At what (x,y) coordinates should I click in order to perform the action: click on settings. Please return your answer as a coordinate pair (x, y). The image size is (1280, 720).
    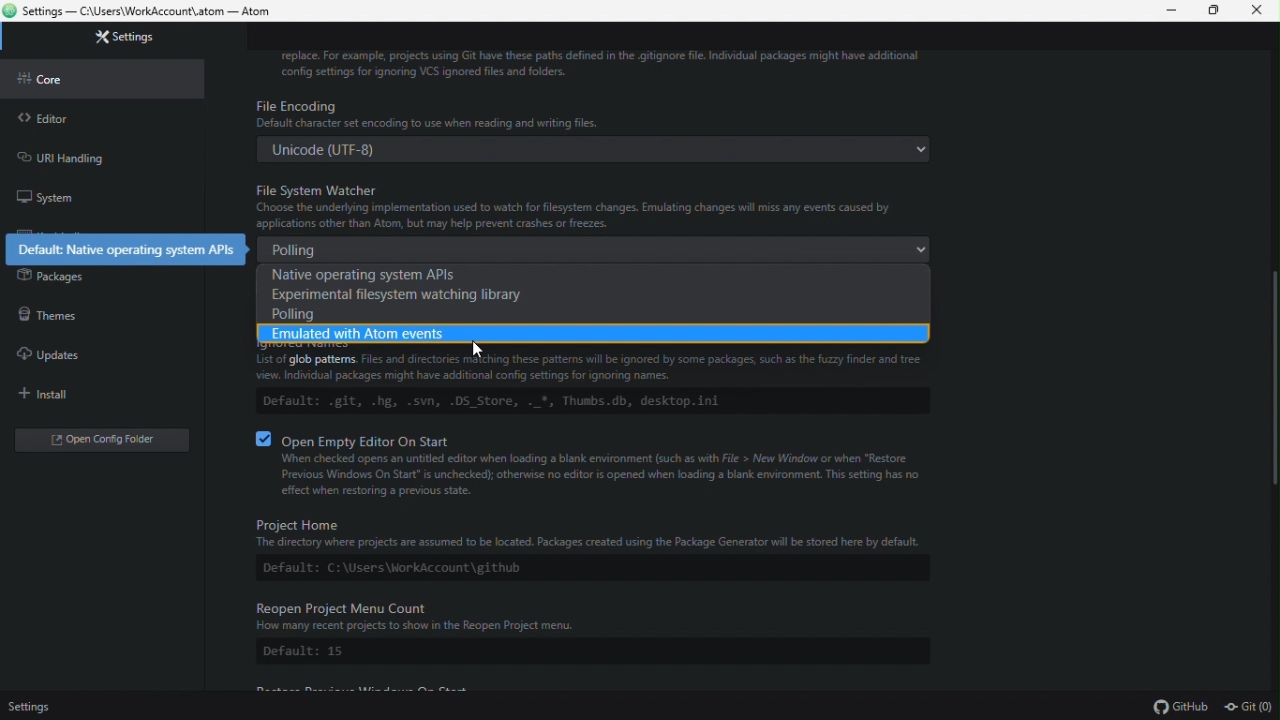
    Looking at the image, I should click on (110, 40).